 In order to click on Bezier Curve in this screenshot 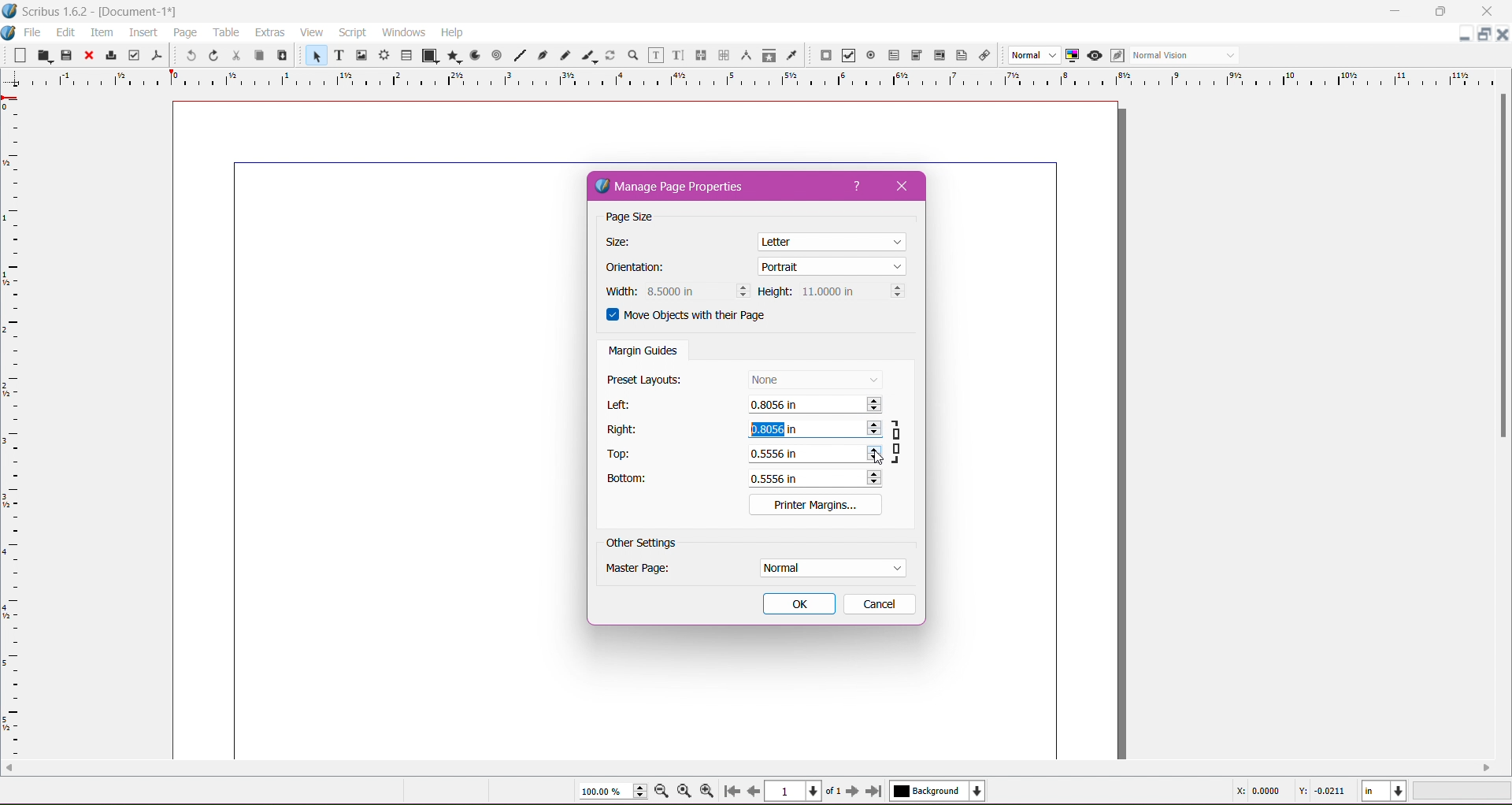, I will do `click(544, 56)`.